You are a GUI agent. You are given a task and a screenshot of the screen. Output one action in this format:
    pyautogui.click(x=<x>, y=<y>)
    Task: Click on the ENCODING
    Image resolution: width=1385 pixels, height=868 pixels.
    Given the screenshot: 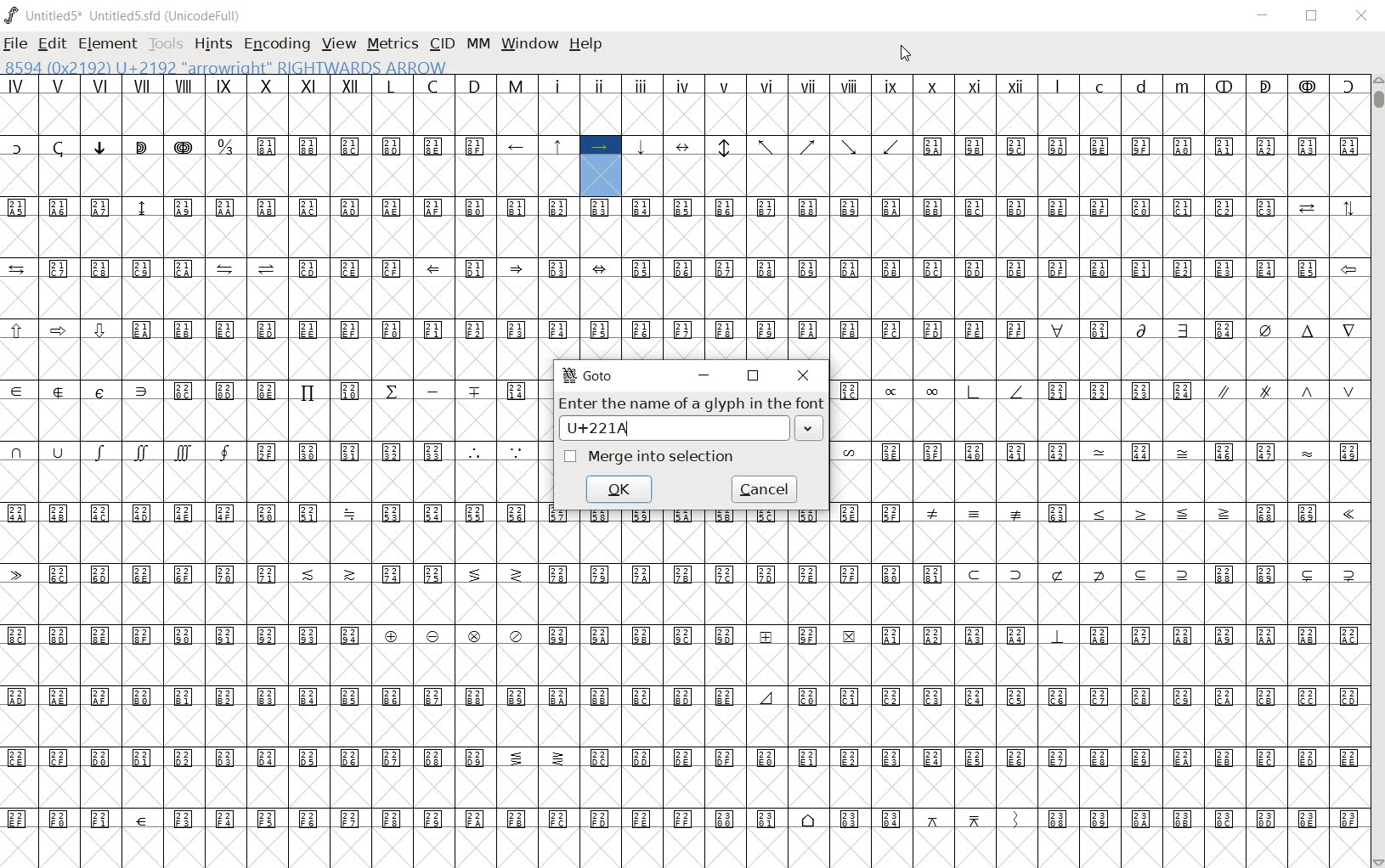 What is the action you would take?
    pyautogui.click(x=276, y=45)
    